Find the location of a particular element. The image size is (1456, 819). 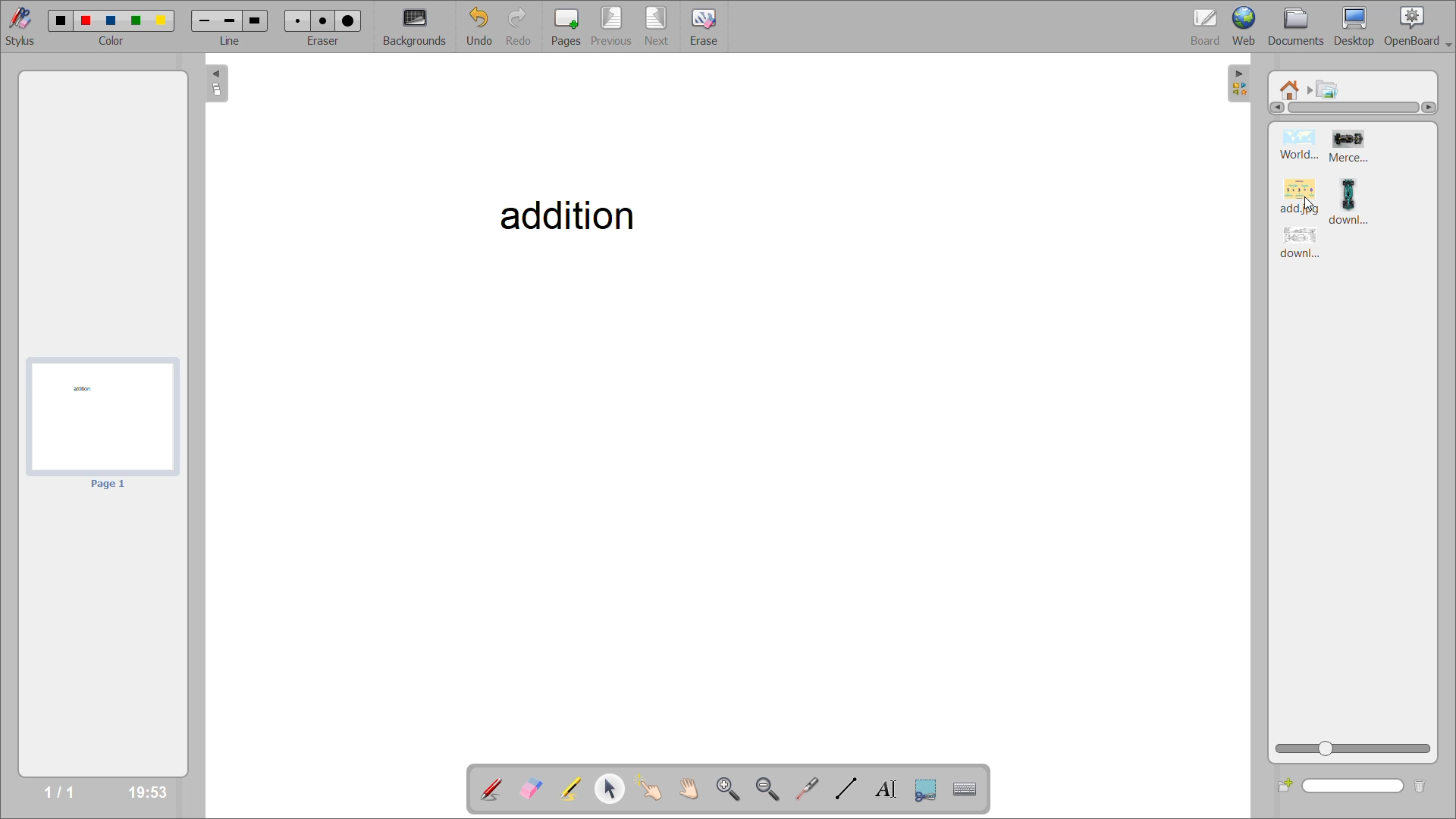

image 4 is located at coordinates (1359, 200).